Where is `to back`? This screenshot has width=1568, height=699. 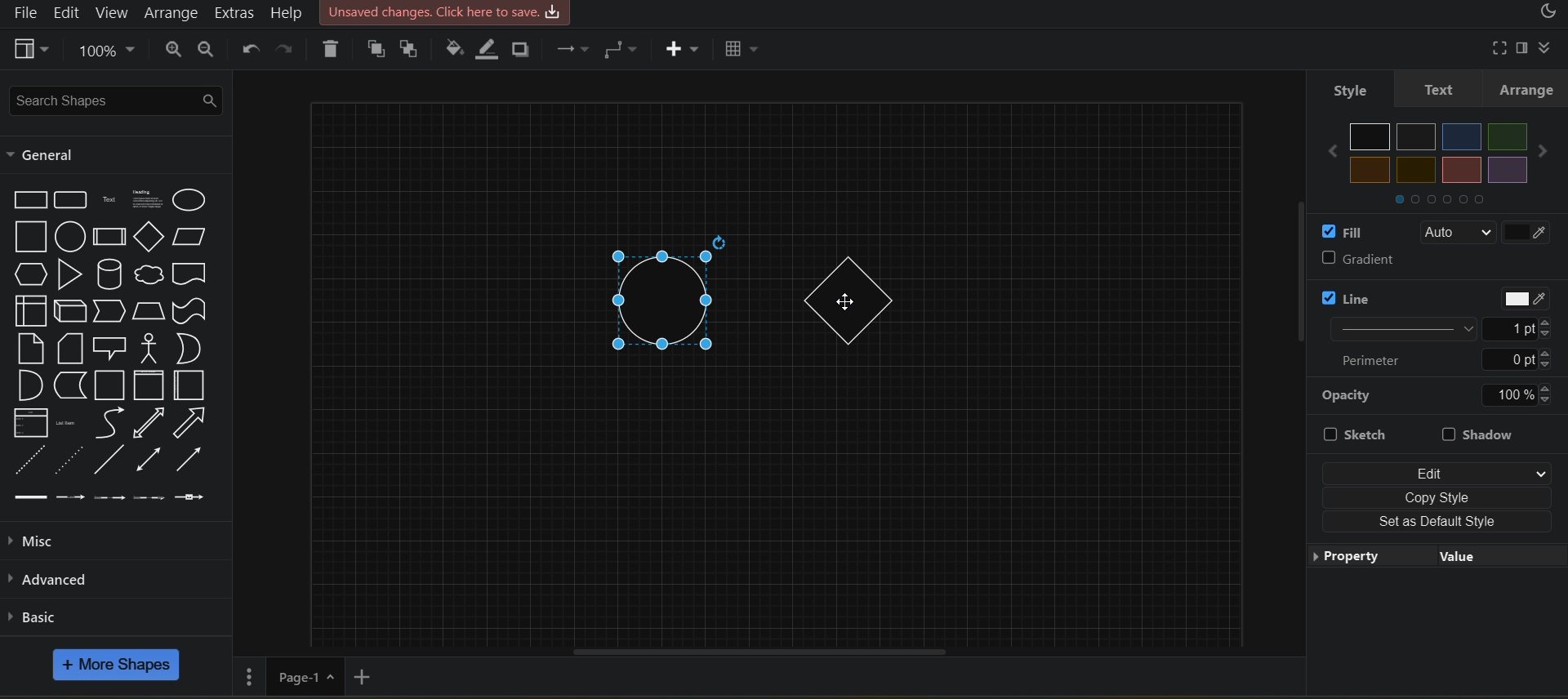
to back is located at coordinates (413, 51).